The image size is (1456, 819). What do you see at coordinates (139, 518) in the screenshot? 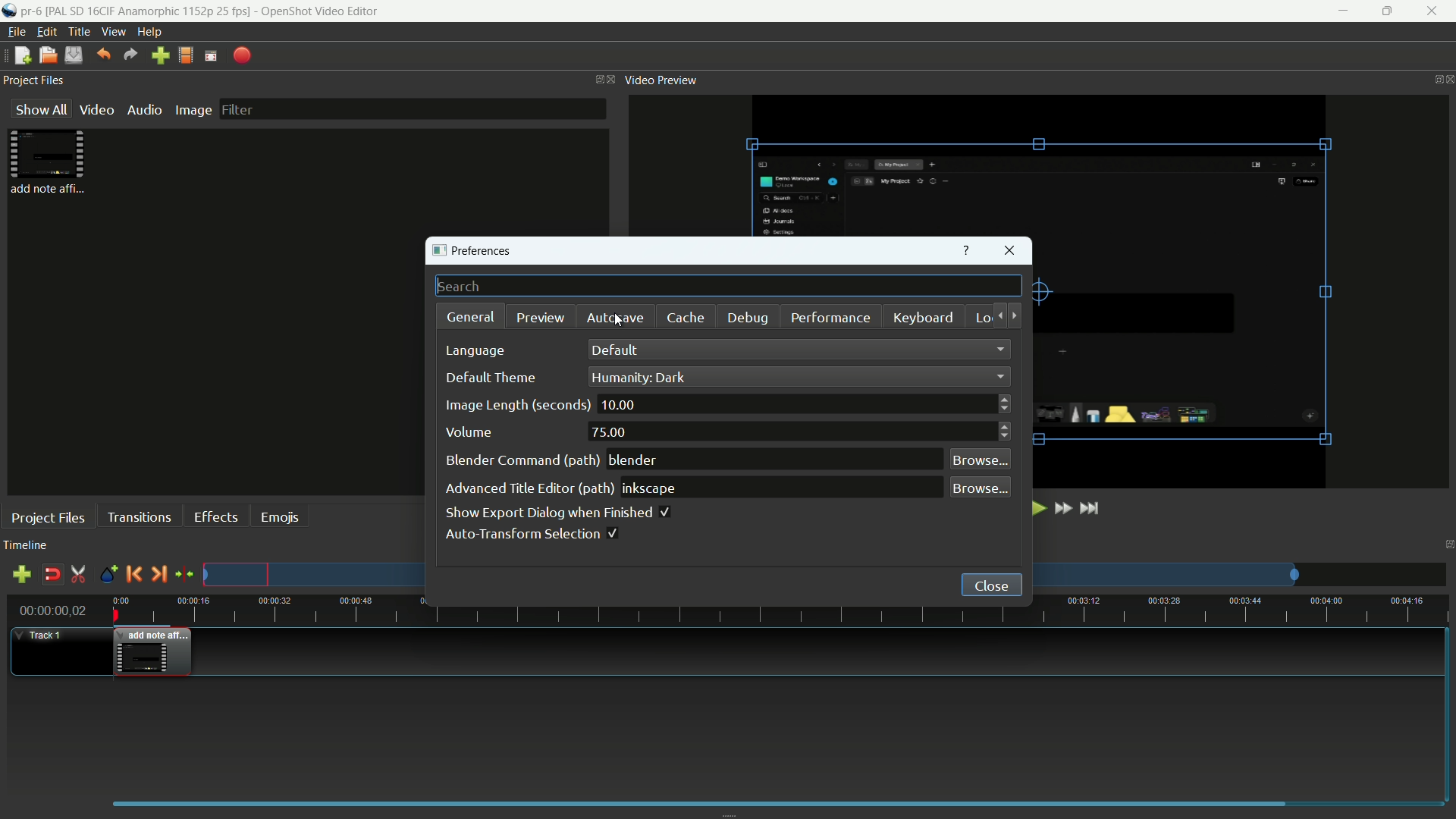
I see `transitions` at bounding box center [139, 518].